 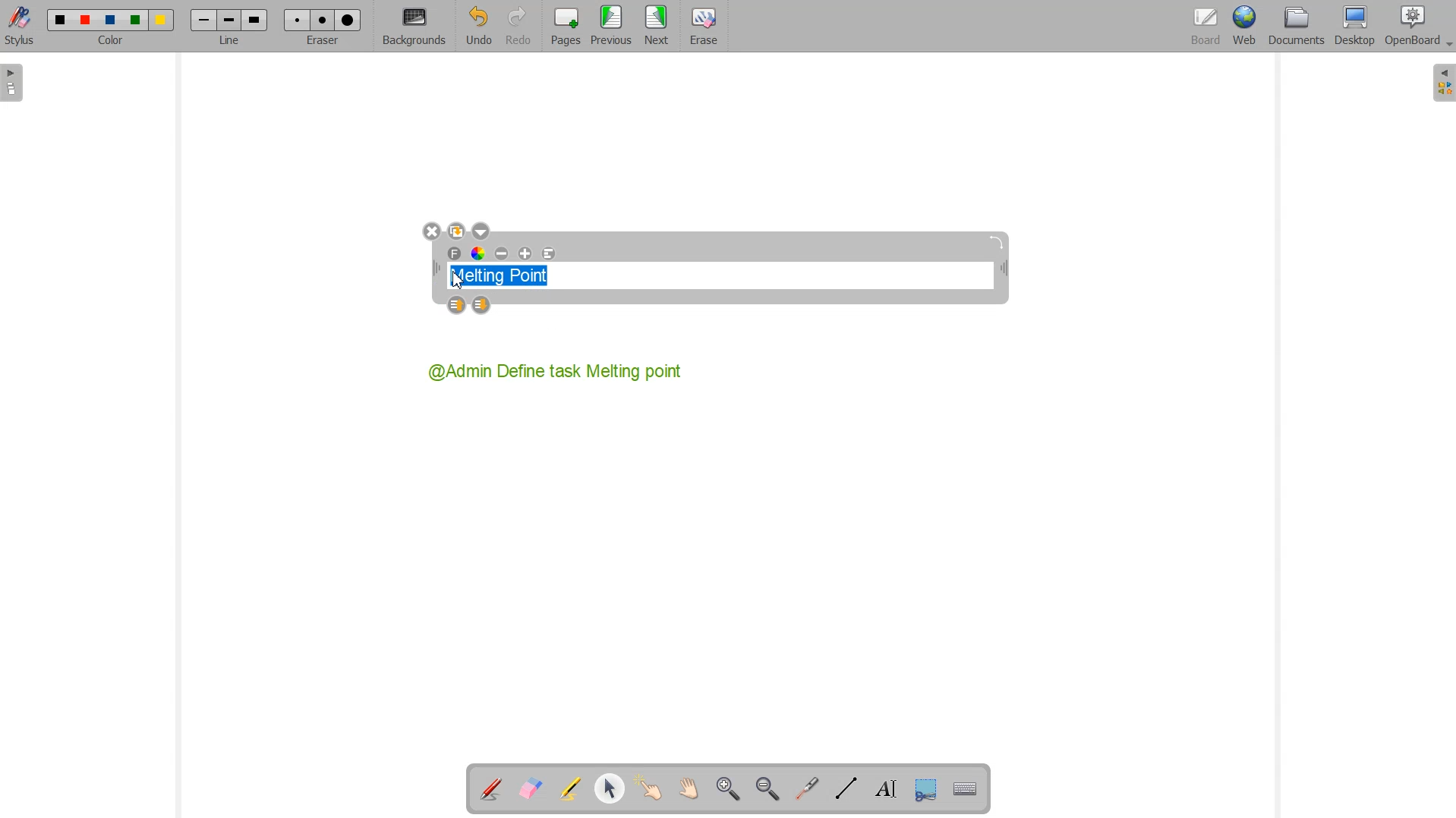 What do you see at coordinates (1243, 27) in the screenshot?
I see `Web` at bounding box center [1243, 27].